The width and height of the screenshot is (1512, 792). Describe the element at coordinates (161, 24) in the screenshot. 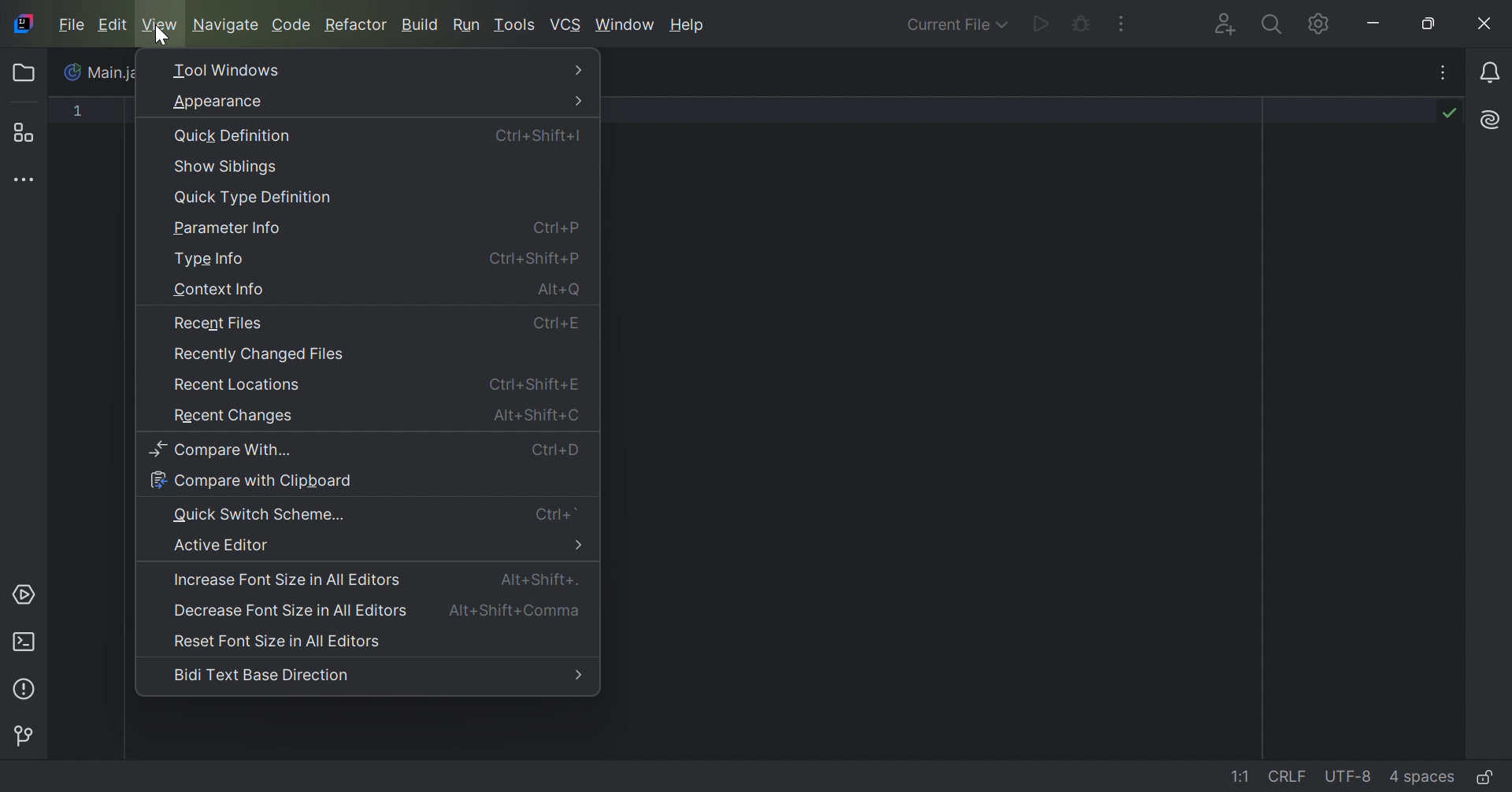

I see `View` at that location.